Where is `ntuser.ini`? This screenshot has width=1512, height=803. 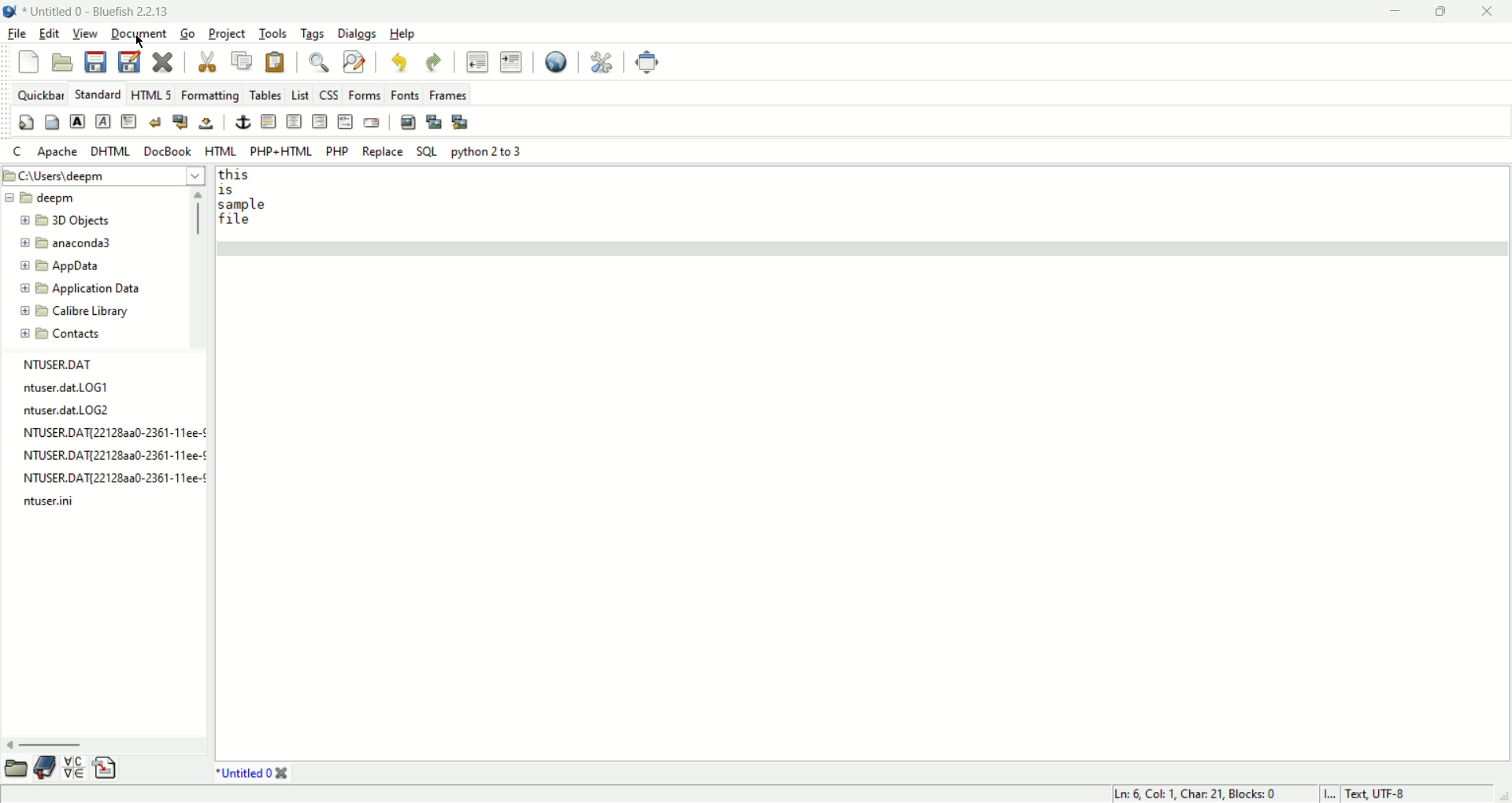 ntuser.ini is located at coordinates (49, 501).